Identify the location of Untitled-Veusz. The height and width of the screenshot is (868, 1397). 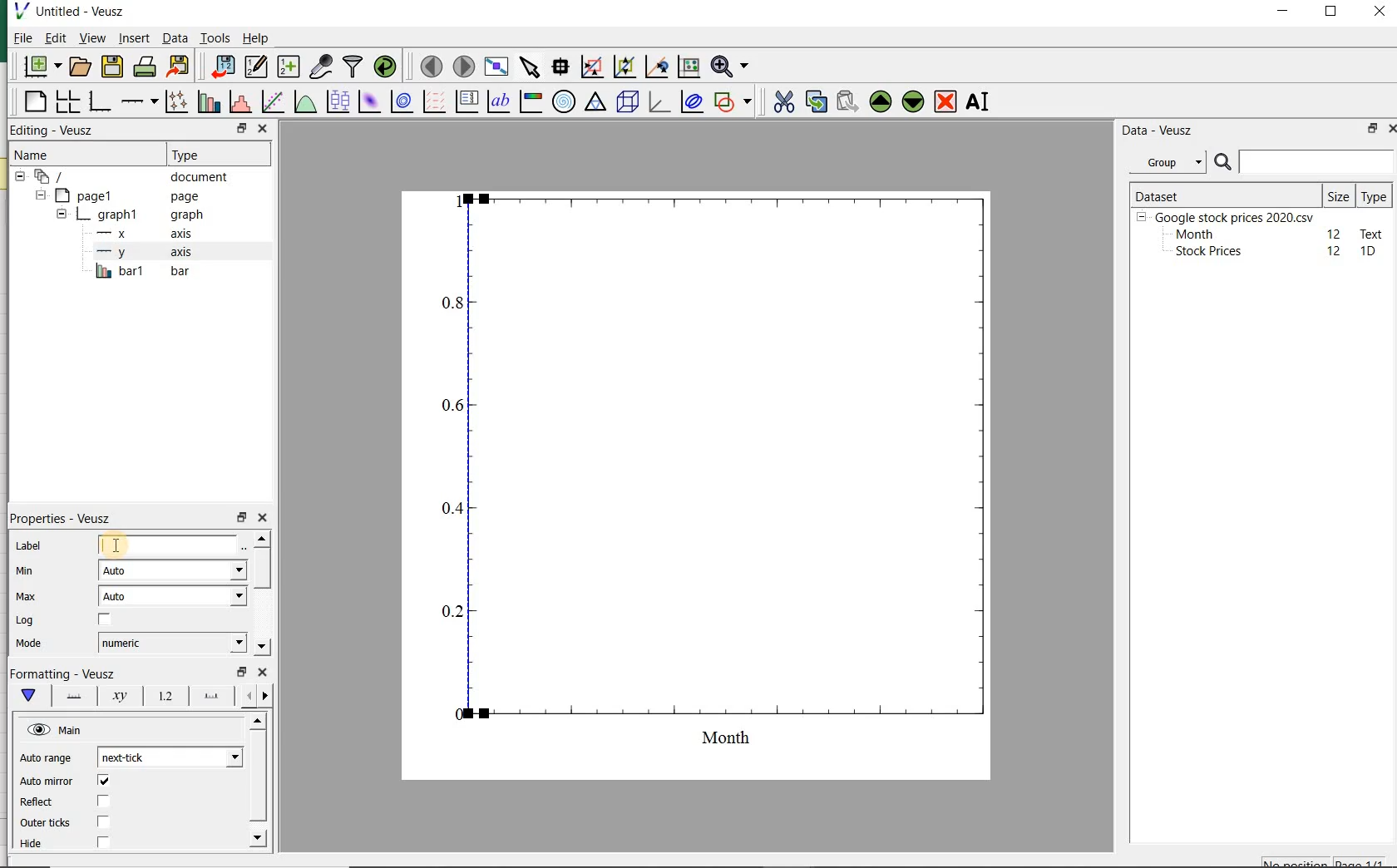
(77, 12).